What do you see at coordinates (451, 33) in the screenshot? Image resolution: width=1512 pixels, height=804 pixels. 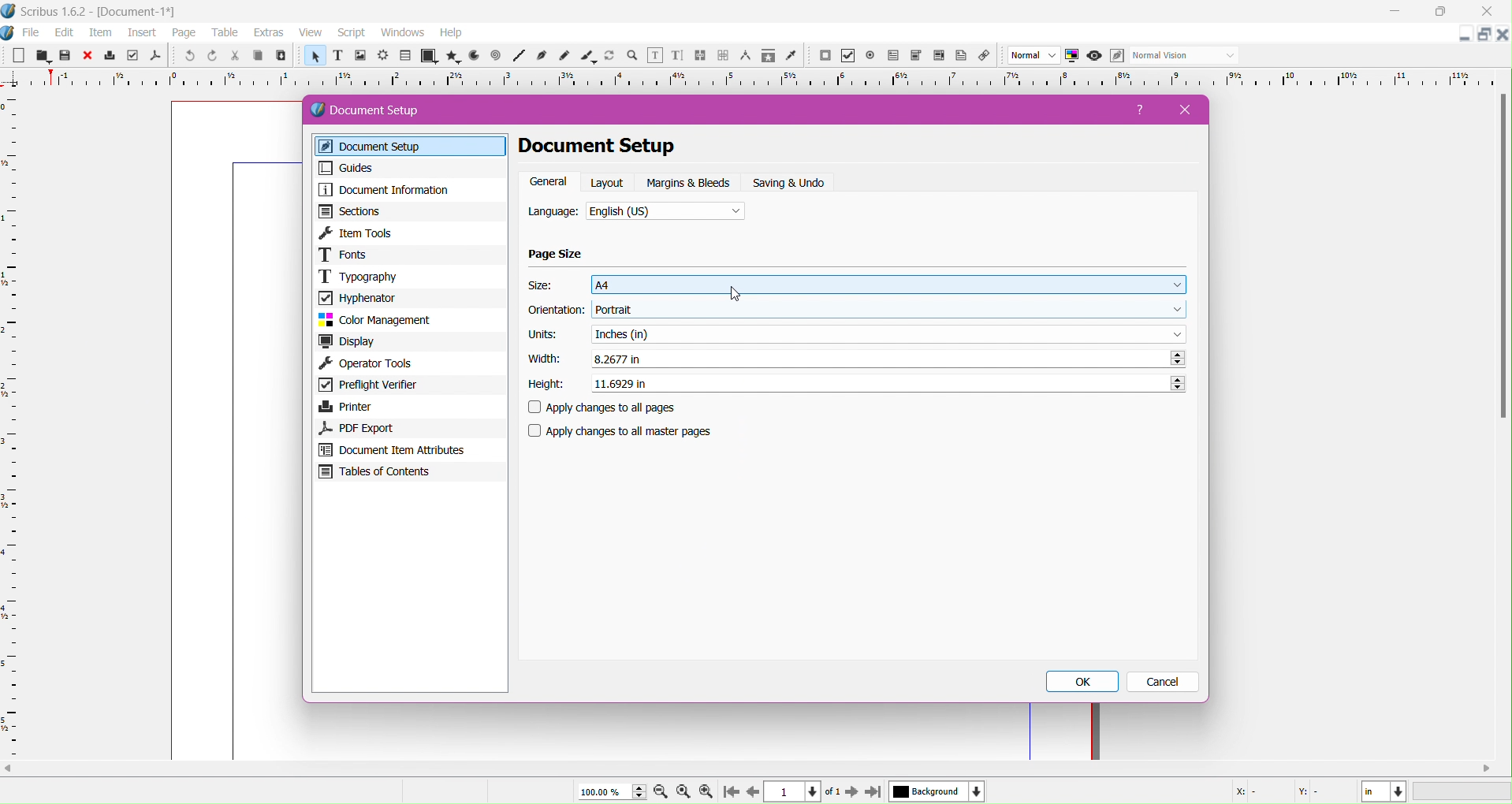 I see `help menu` at bounding box center [451, 33].